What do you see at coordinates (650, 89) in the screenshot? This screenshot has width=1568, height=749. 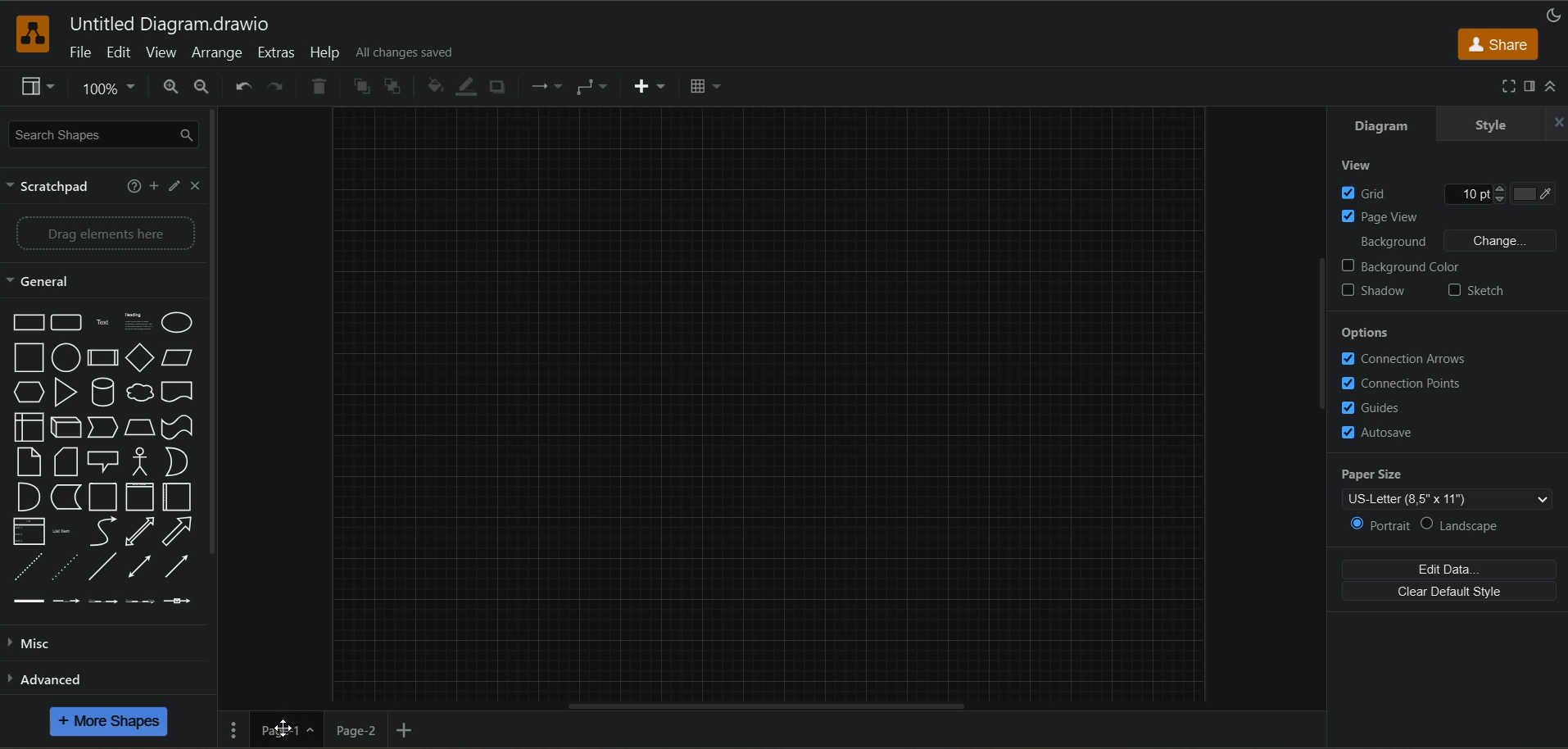 I see `insert` at bounding box center [650, 89].